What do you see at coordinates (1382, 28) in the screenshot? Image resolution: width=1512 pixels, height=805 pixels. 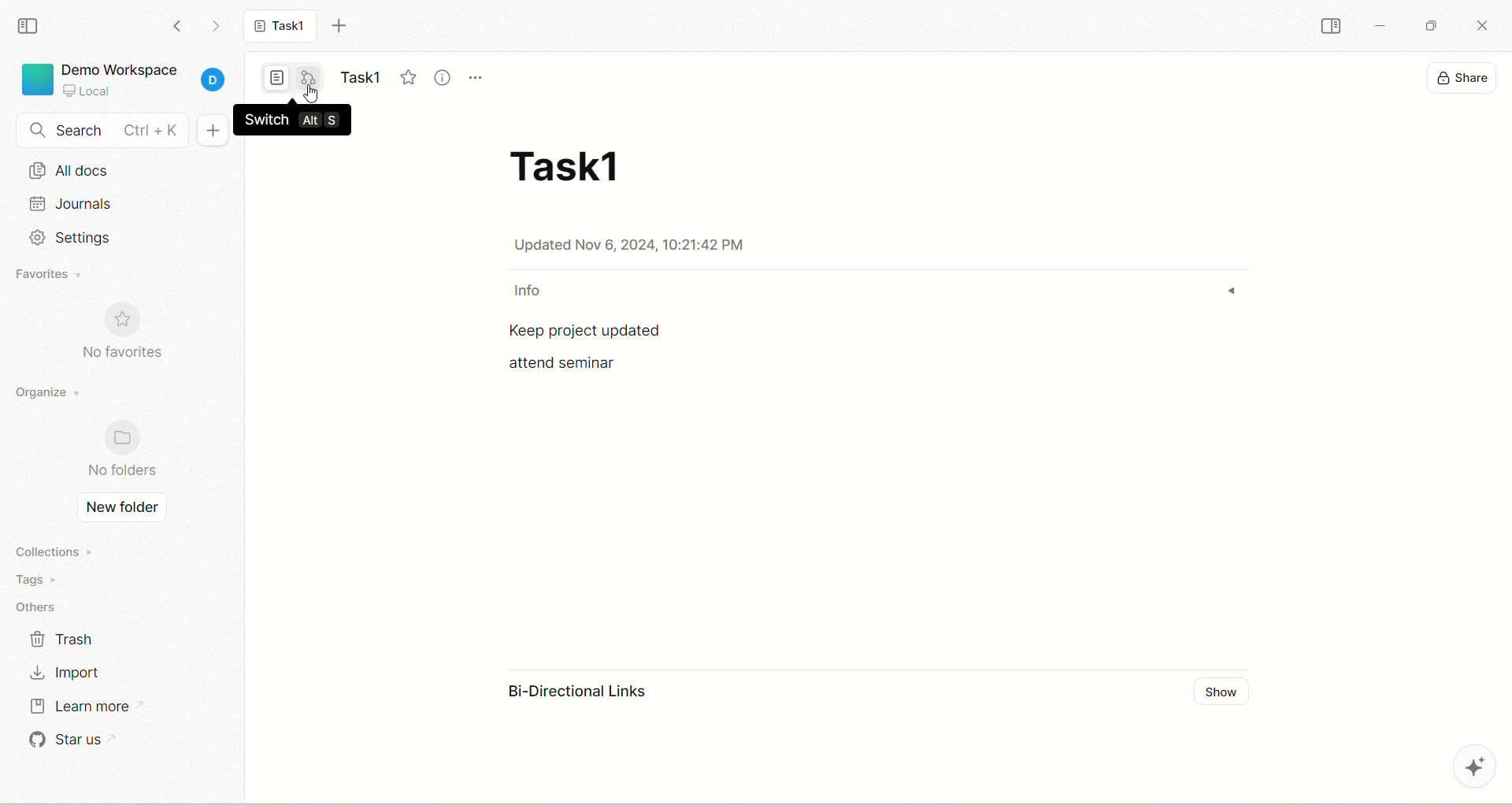 I see `minimize` at bounding box center [1382, 28].